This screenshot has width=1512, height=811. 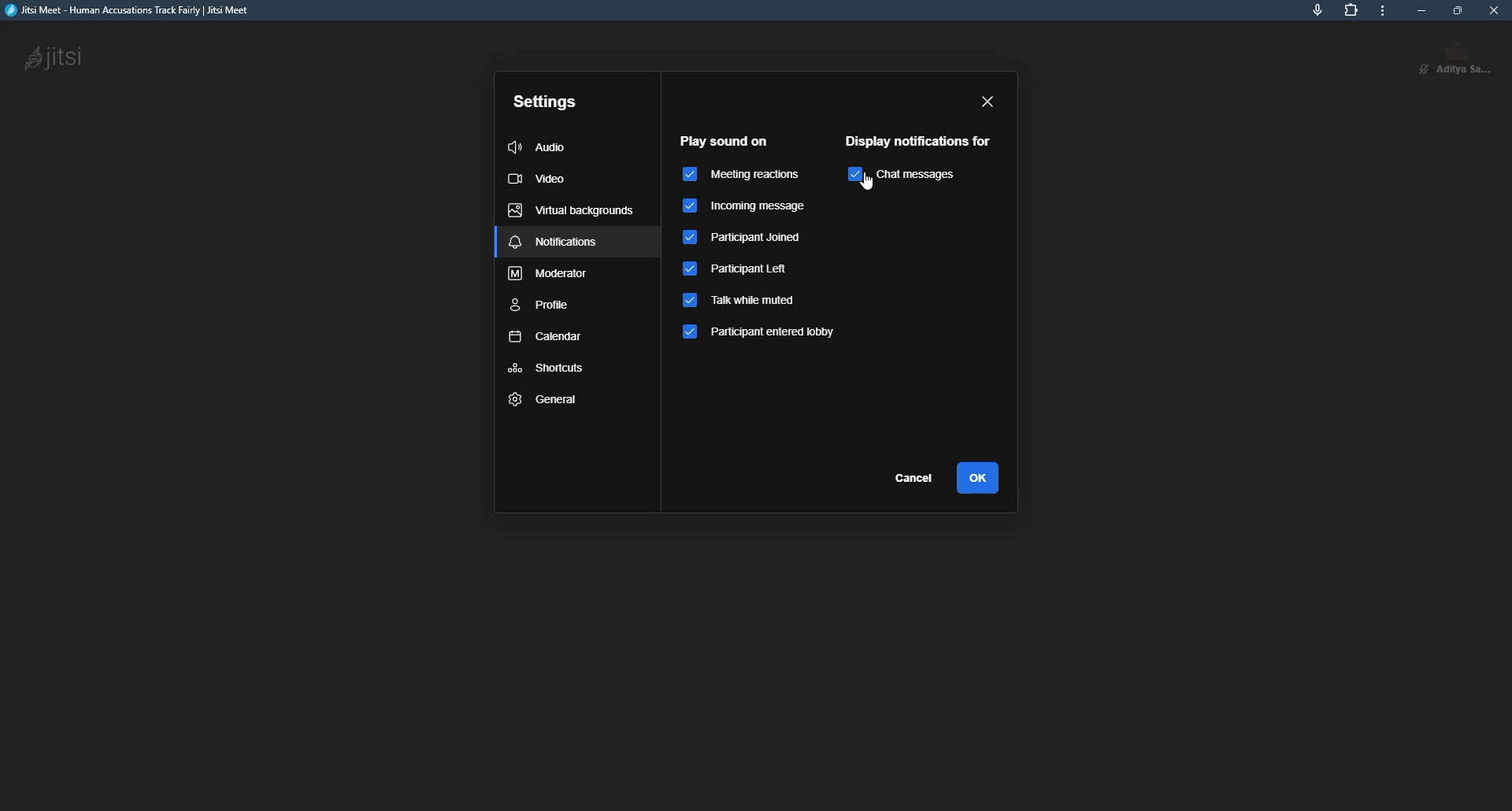 What do you see at coordinates (1422, 69) in the screenshot?
I see `unmute` at bounding box center [1422, 69].